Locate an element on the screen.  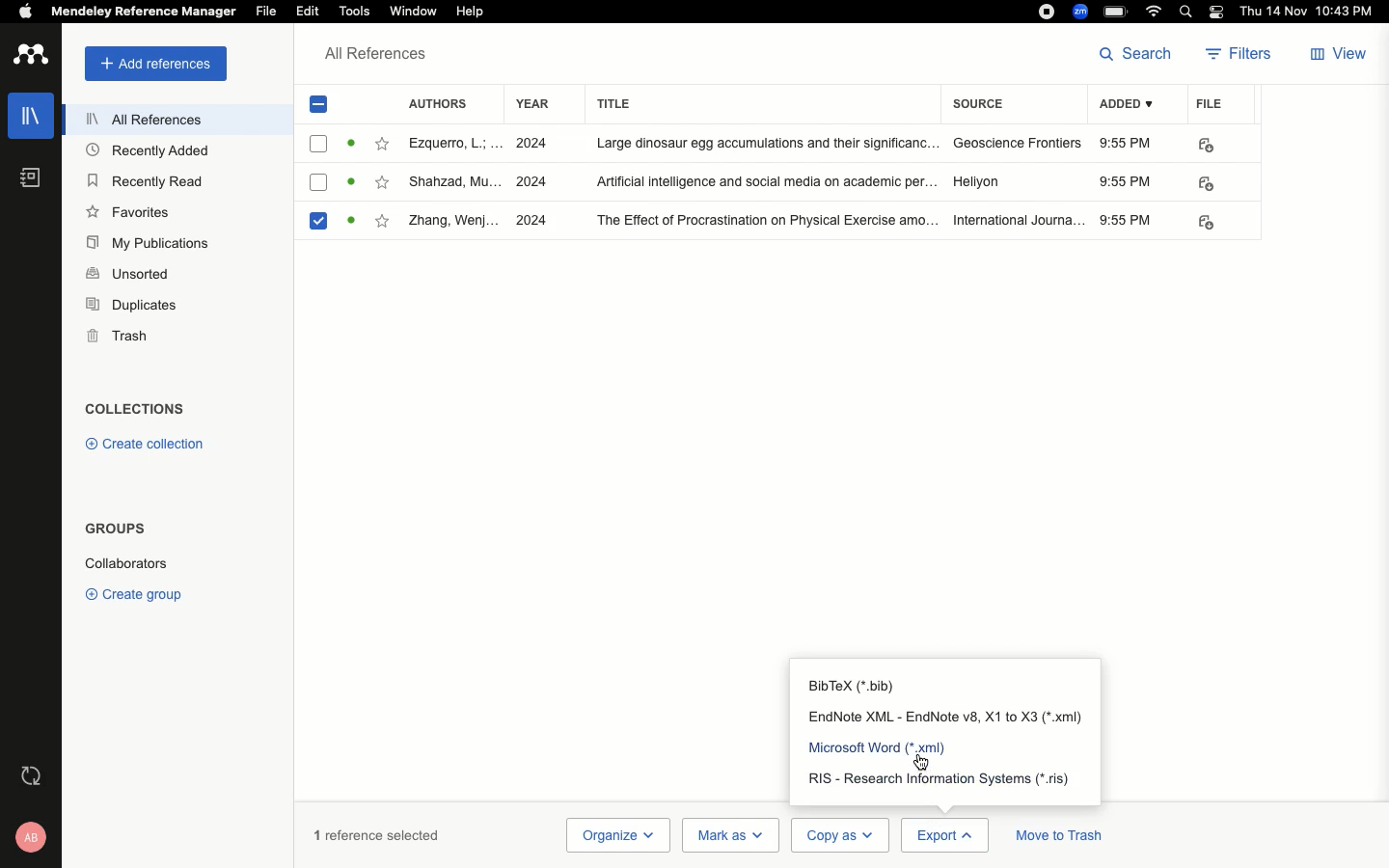
Account and help is located at coordinates (33, 837).